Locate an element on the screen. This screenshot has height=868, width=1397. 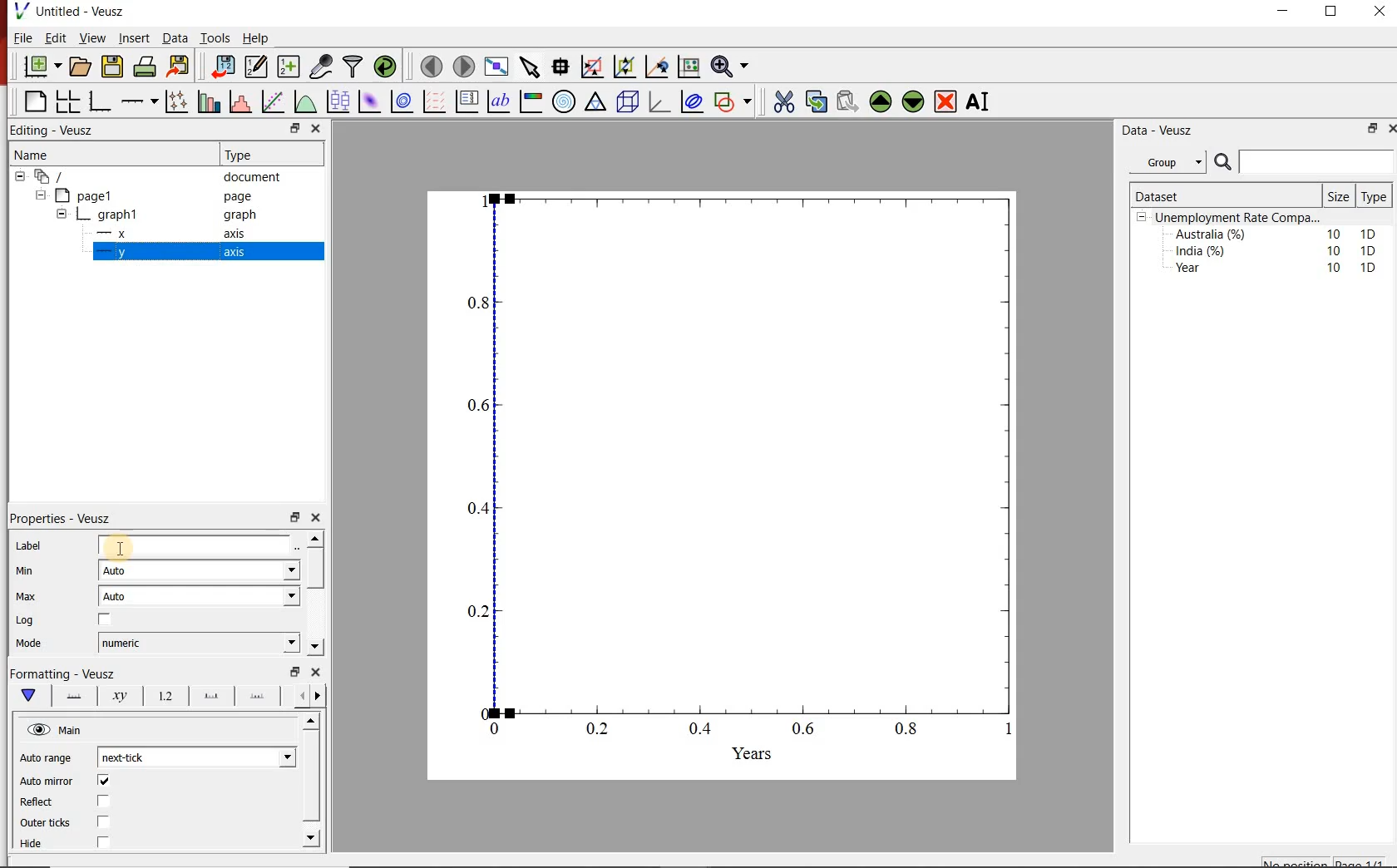
click to recenter graph axes is located at coordinates (658, 66).